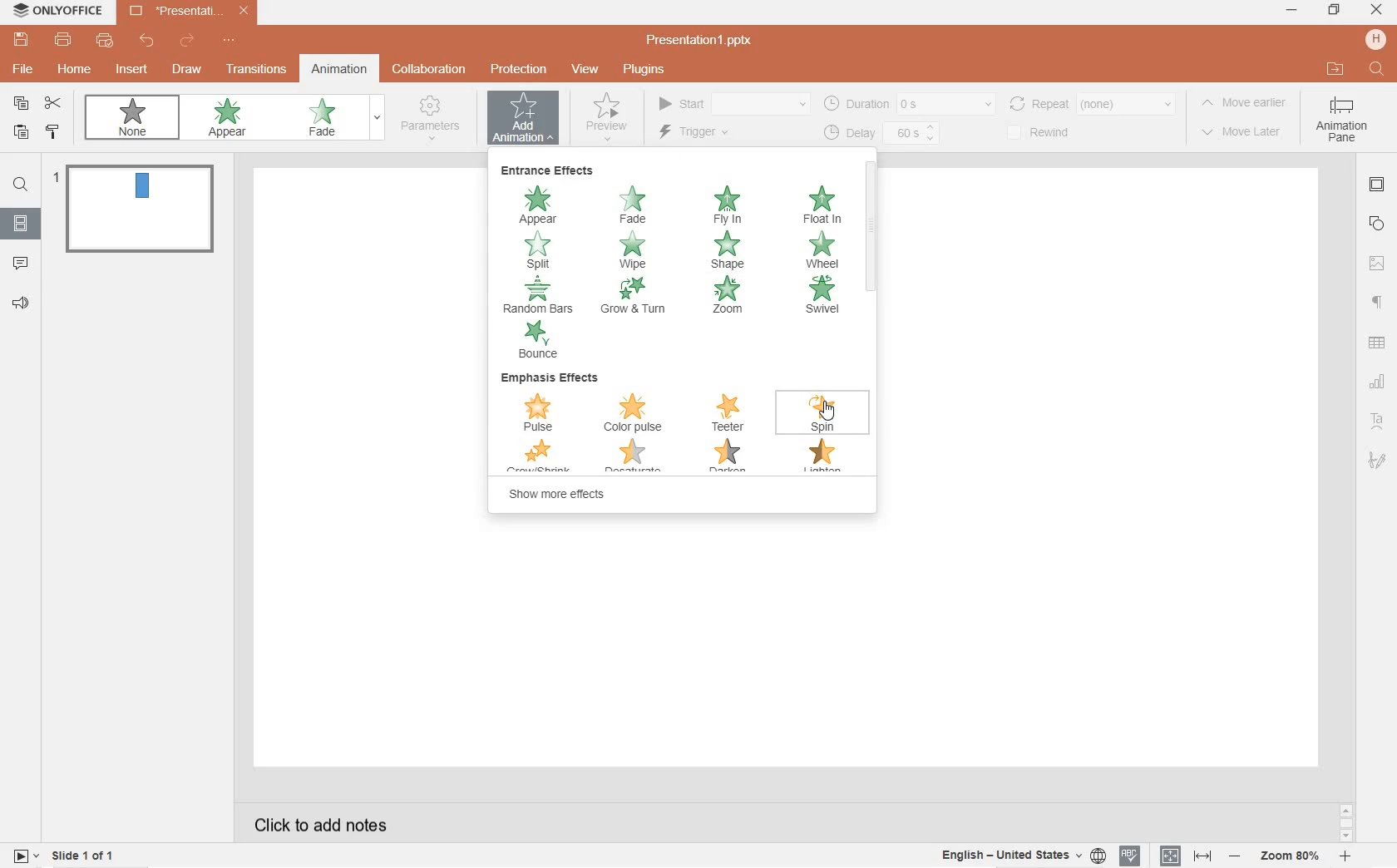 The image size is (1397, 868). I want to click on text art settings, so click(1375, 419).